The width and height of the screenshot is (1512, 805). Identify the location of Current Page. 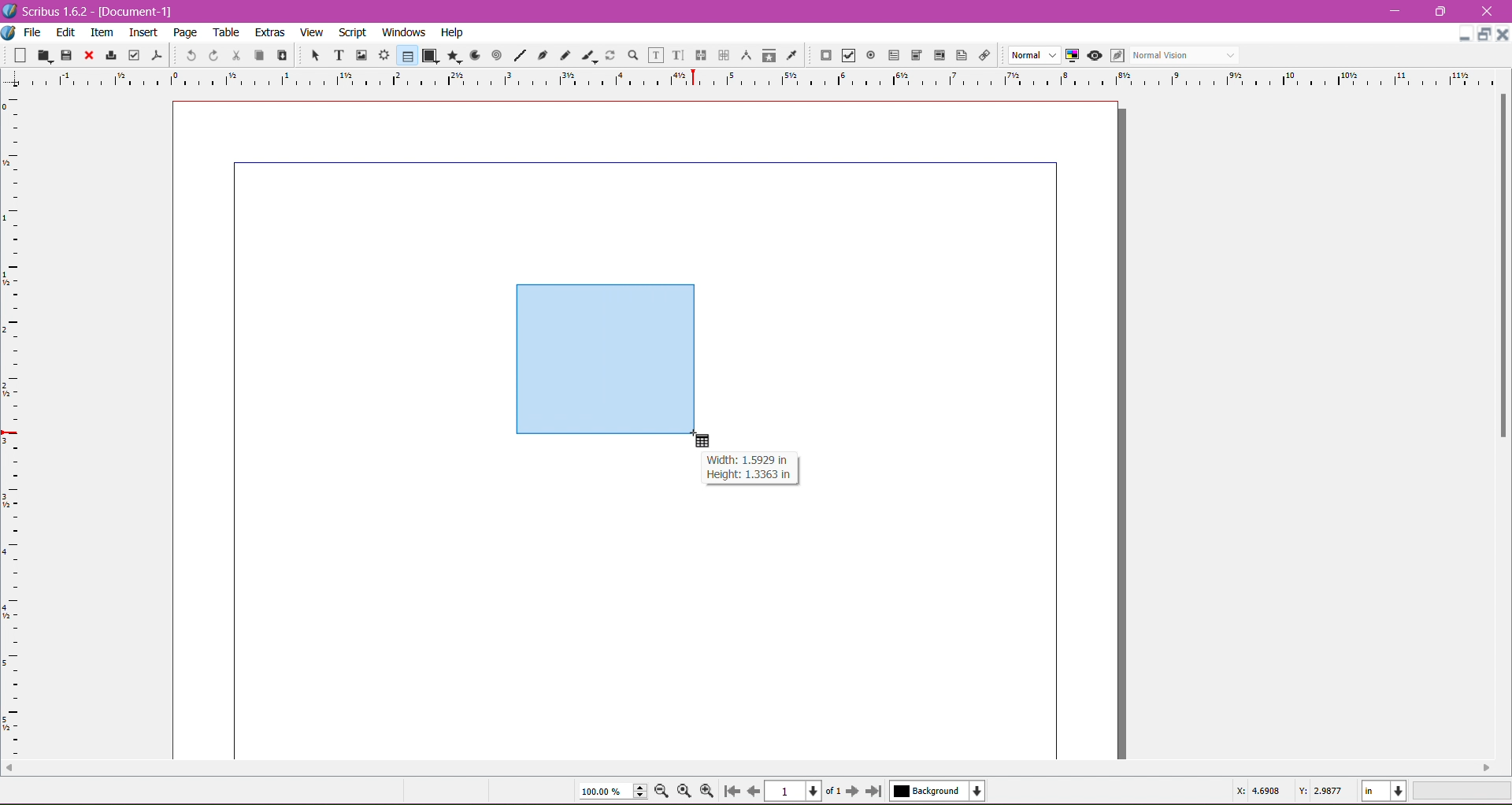
(795, 789).